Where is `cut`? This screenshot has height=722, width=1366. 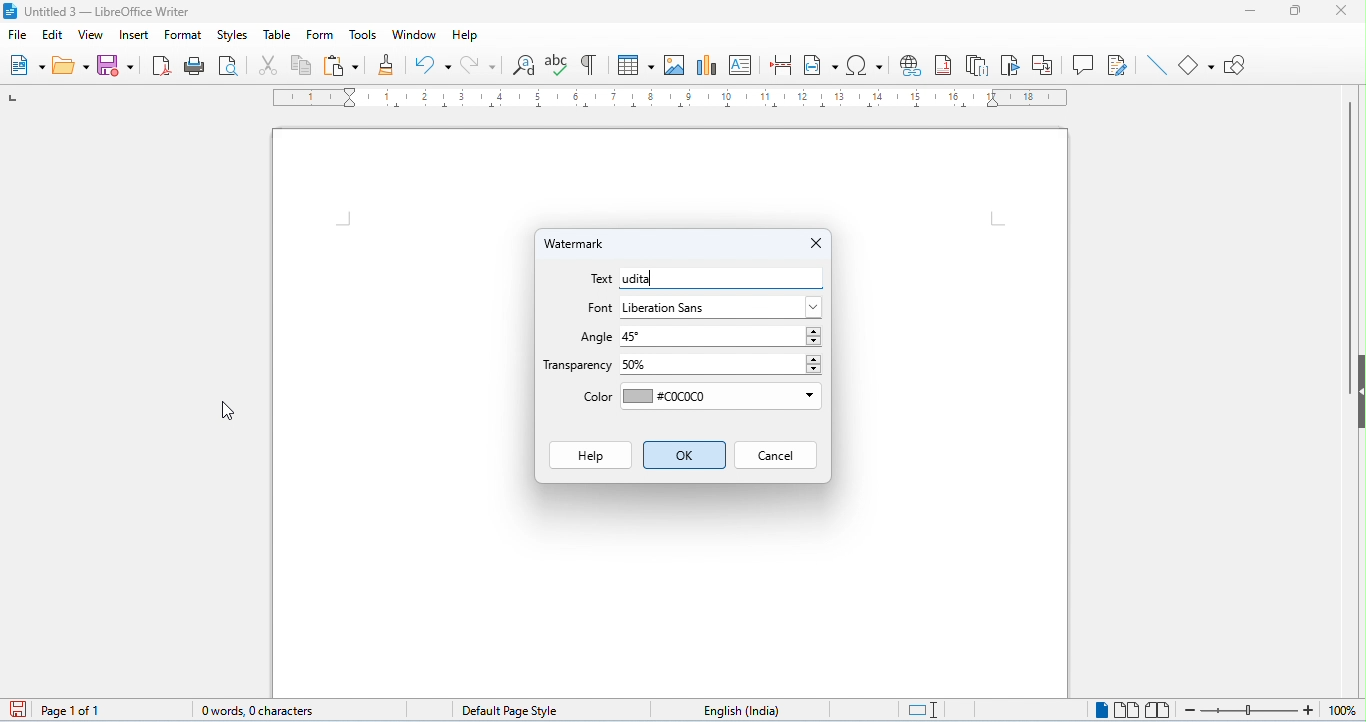 cut is located at coordinates (271, 67).